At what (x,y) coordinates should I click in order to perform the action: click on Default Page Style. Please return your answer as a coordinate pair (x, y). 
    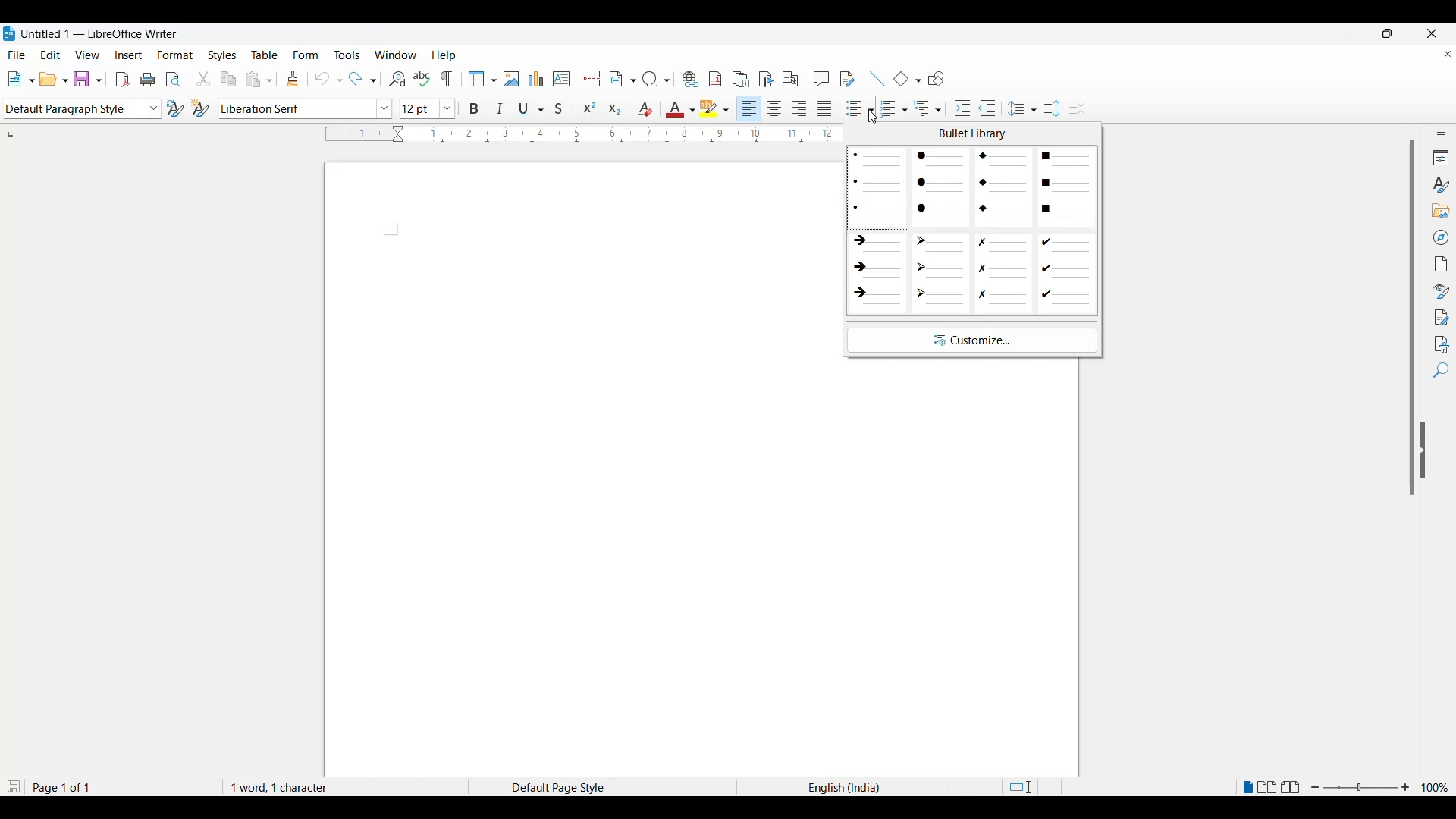
    Looking at the image, I should click on (572, 786).